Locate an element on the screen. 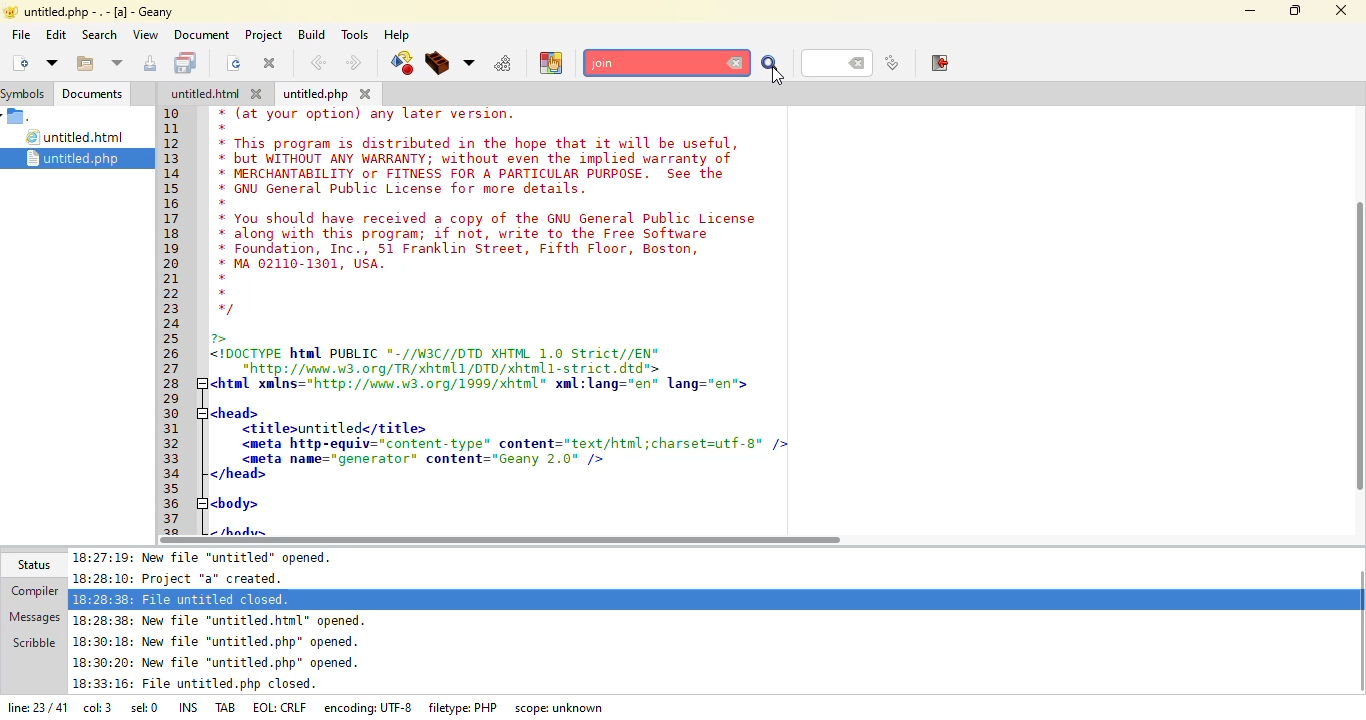  * is located at coordinates (224, 203).